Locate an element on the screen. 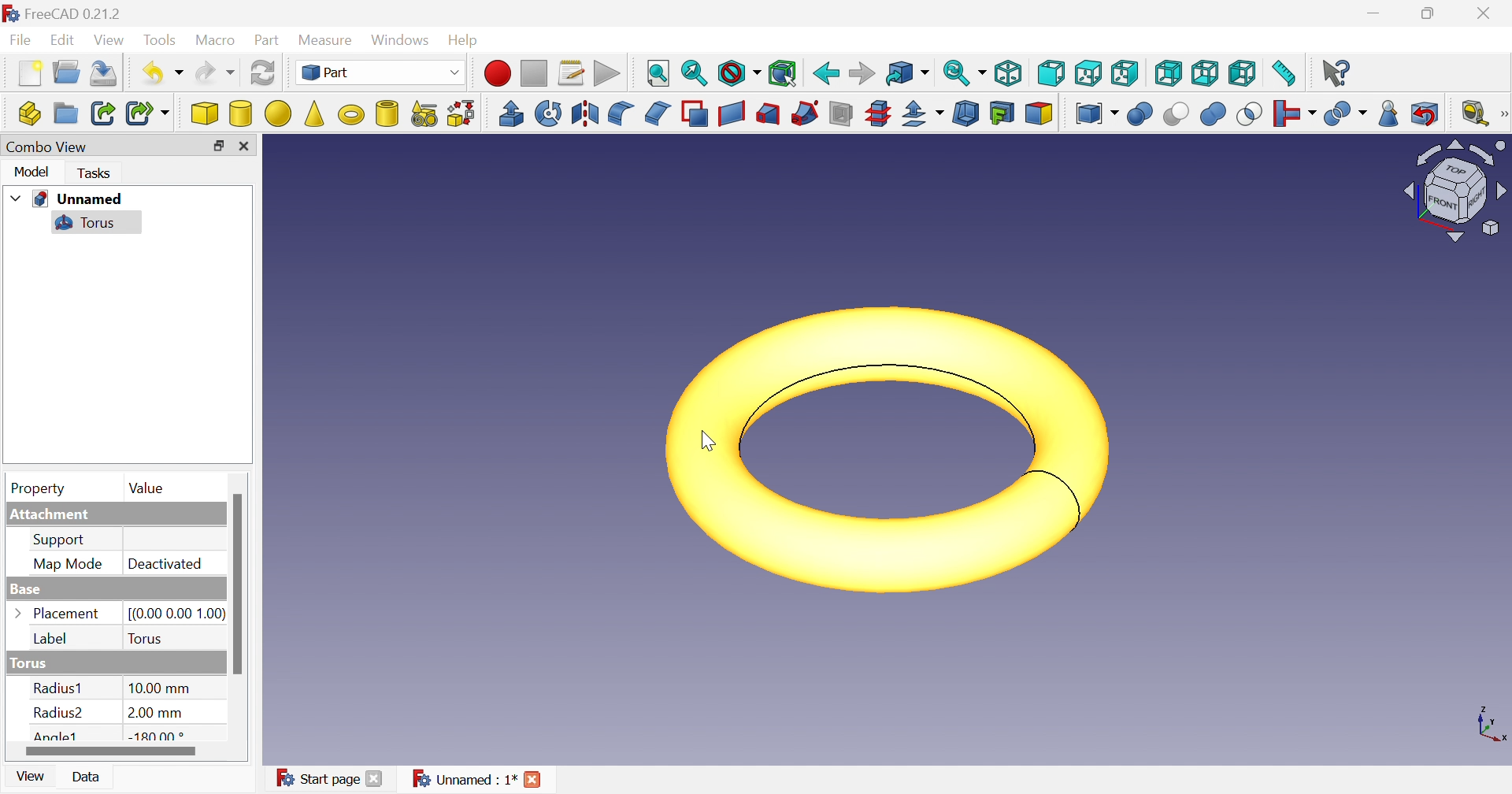 This screenshot has width=1512, height=794. Create tube is located at coordinates (386, 114).